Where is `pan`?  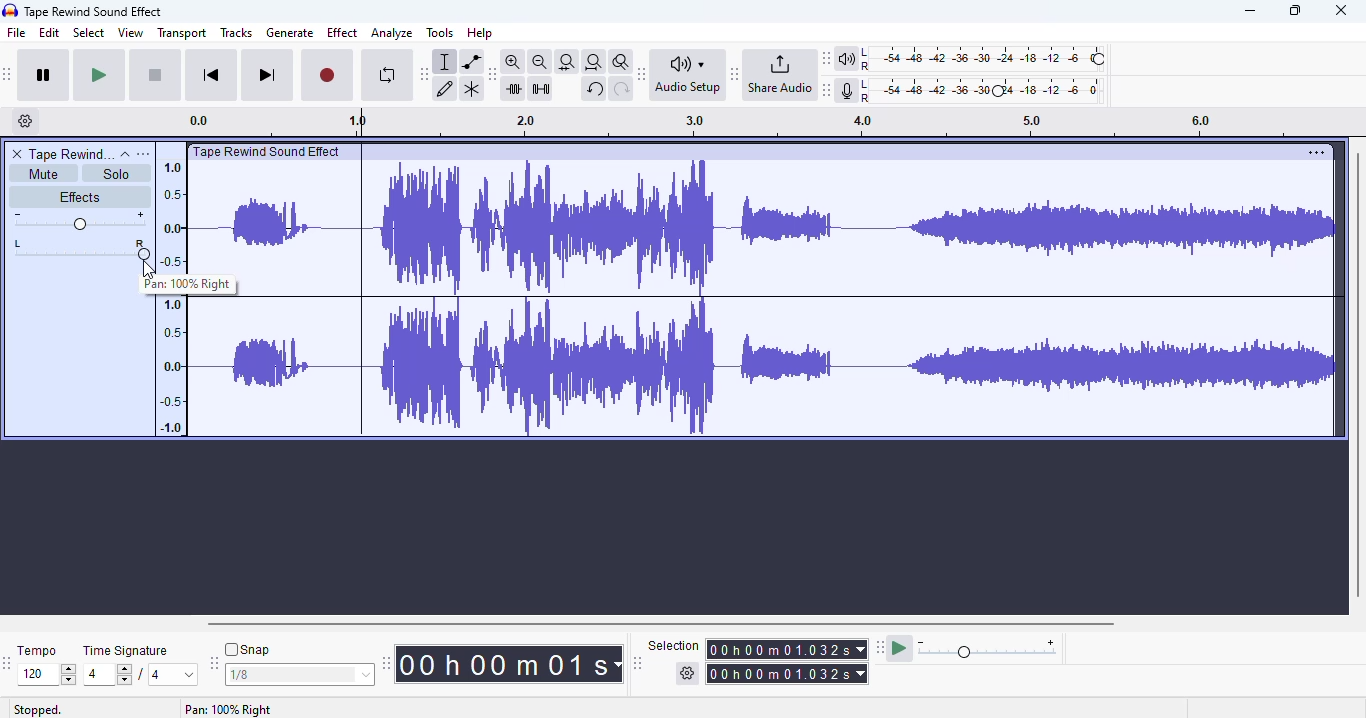 pan is located at coordinates (95, 249).